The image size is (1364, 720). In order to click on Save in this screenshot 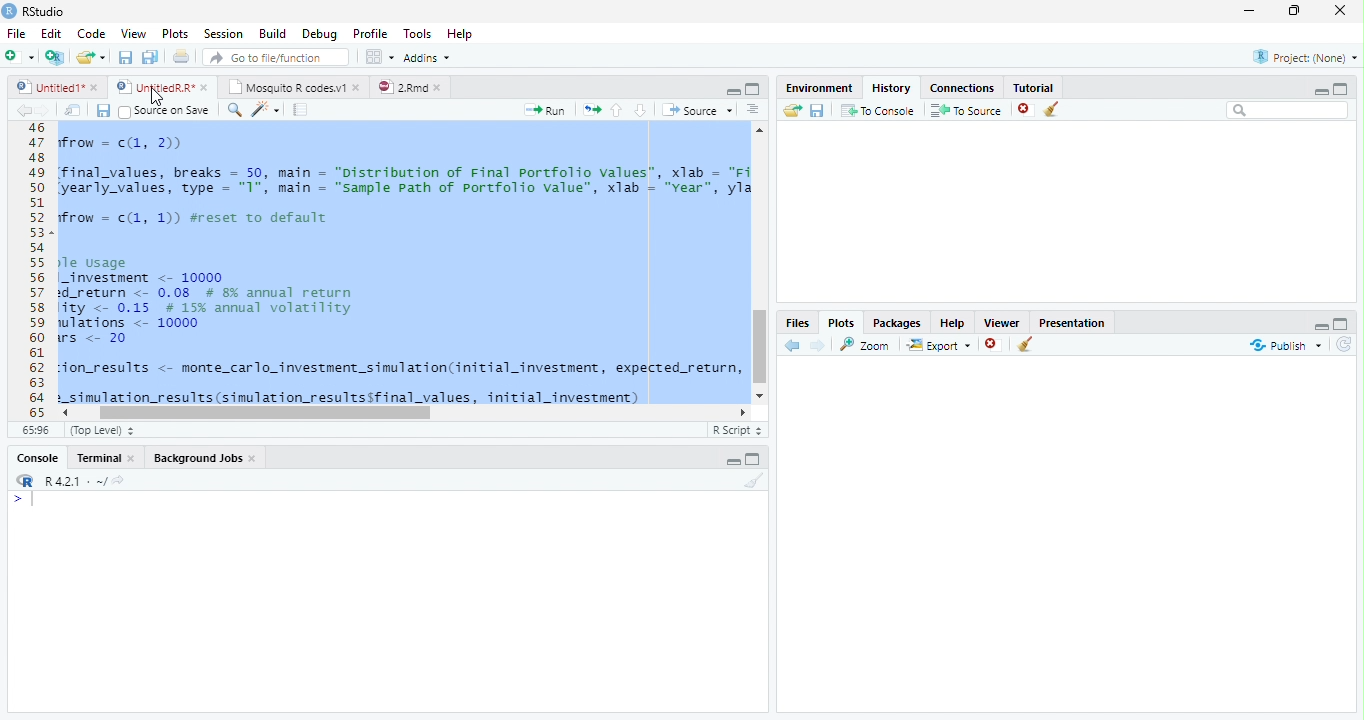, I will do `click(817, 110)`.